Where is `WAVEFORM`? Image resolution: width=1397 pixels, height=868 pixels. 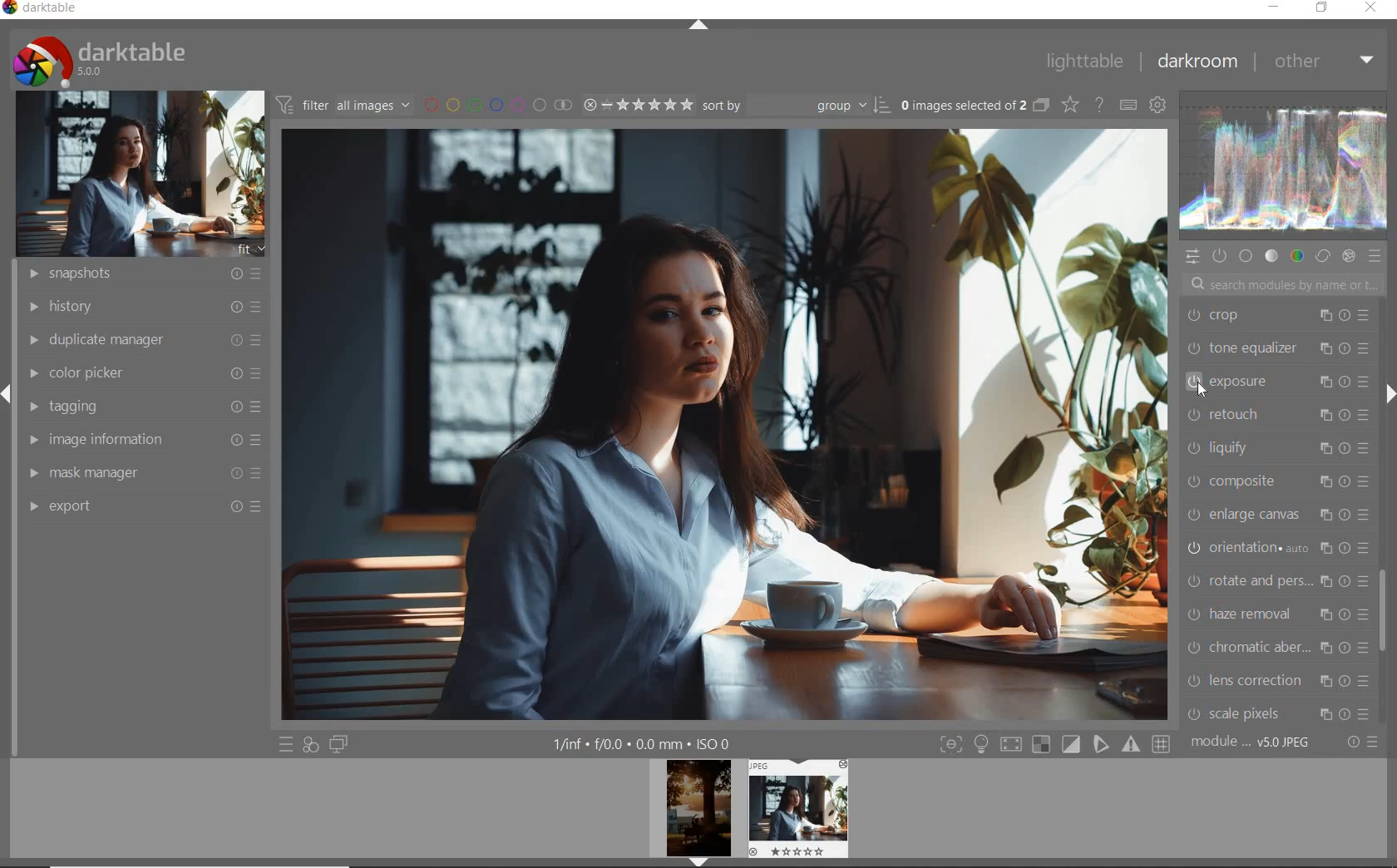
WAVEFORM is located at coordinates (1285, 165).